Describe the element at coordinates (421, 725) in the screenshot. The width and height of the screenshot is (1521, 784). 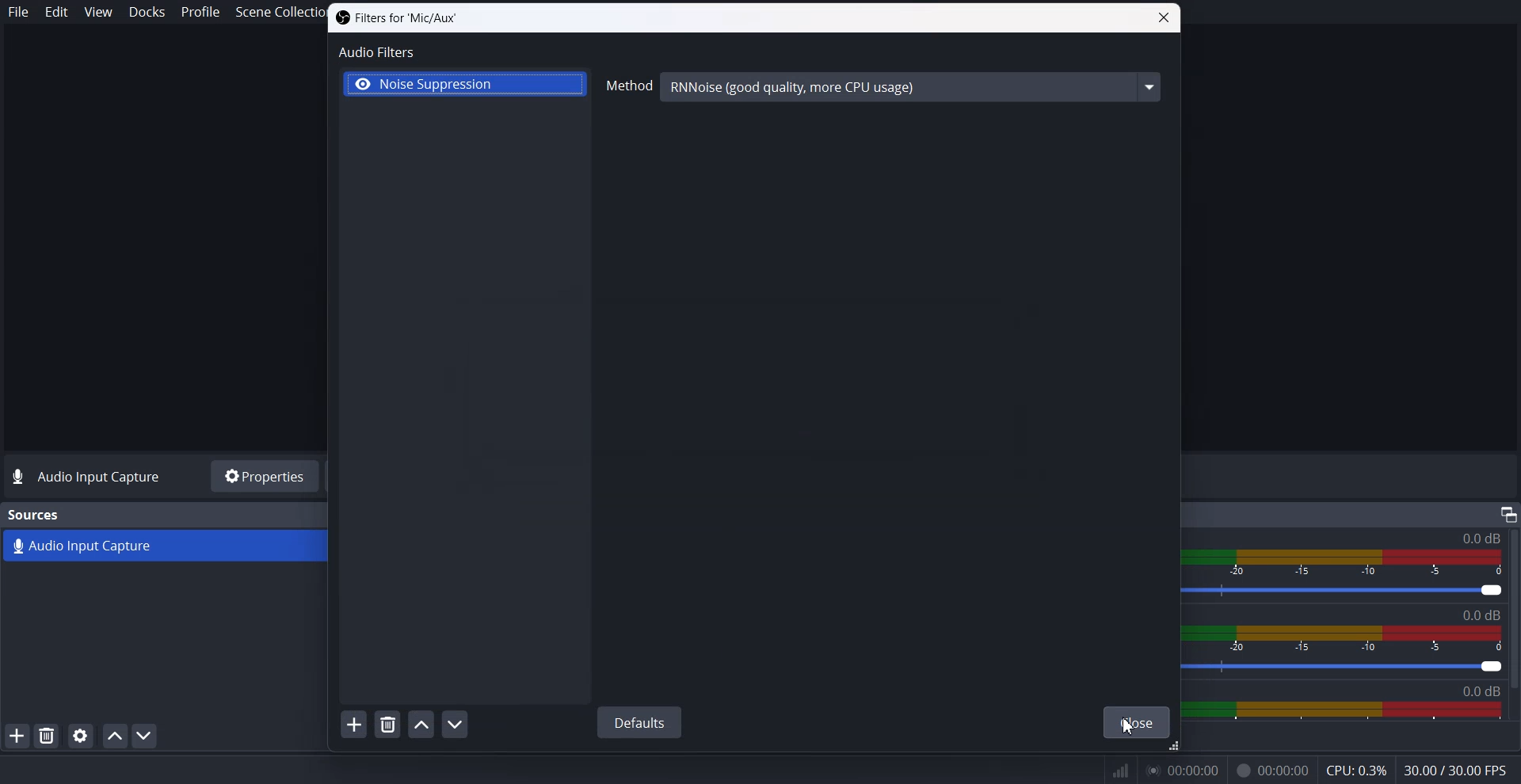
I see `Move filter up` at that location.